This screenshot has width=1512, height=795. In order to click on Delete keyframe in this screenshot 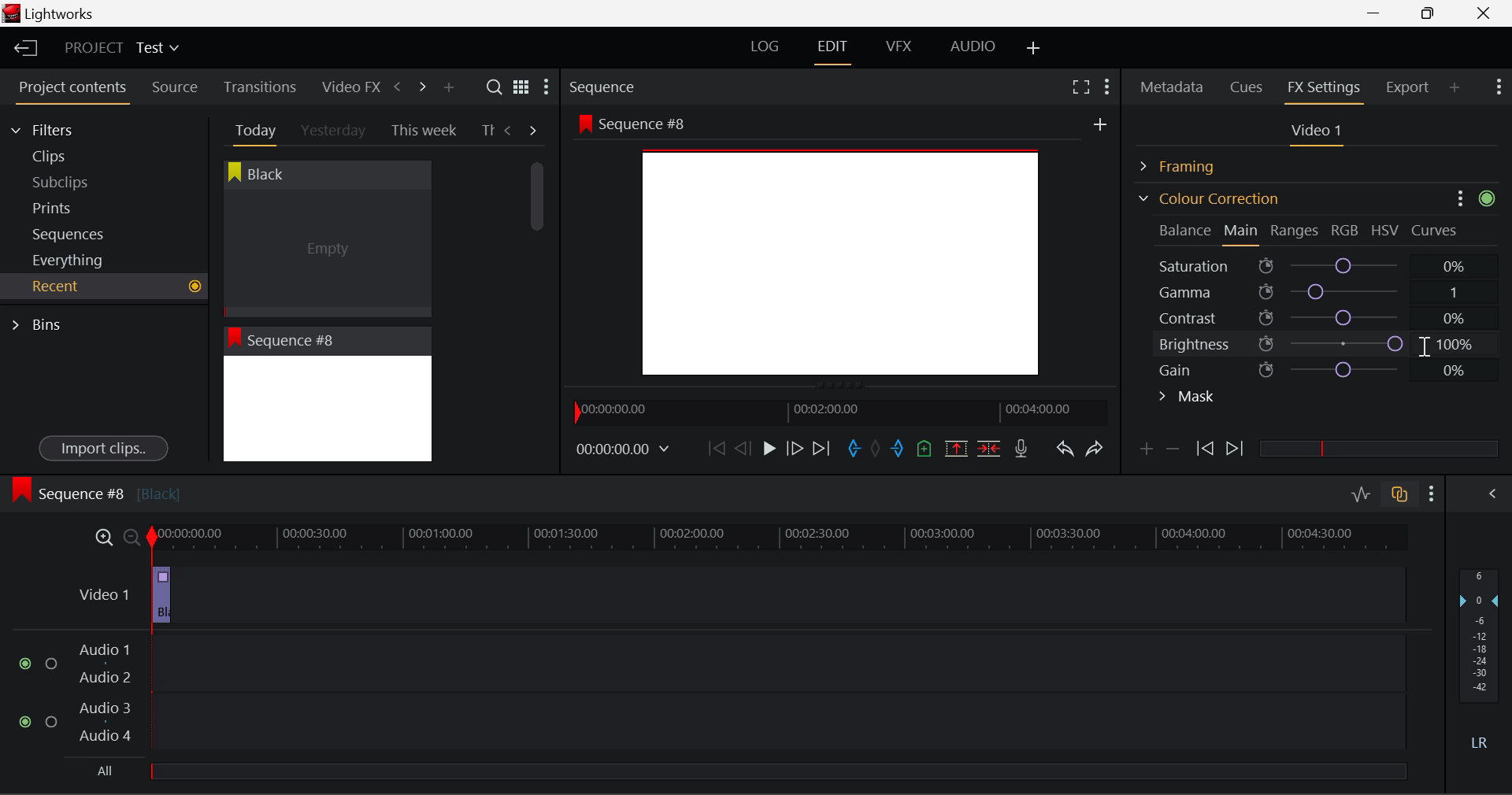, I will do `click(1173, 452)`.